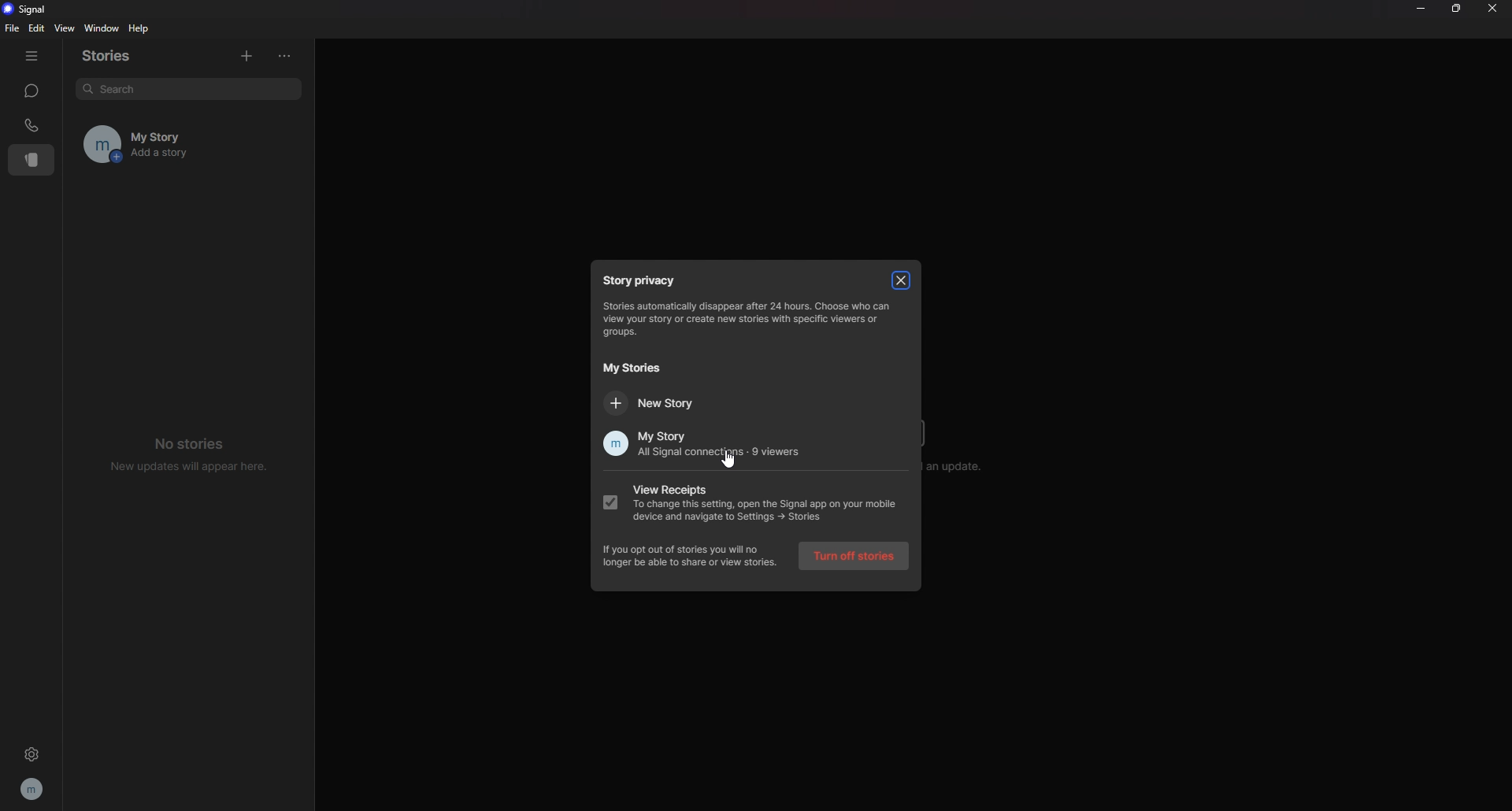 The image size is (1512, 811). Describe the element at coordinates (31, 56) in the screenshot. I see `hide tab` at that location.